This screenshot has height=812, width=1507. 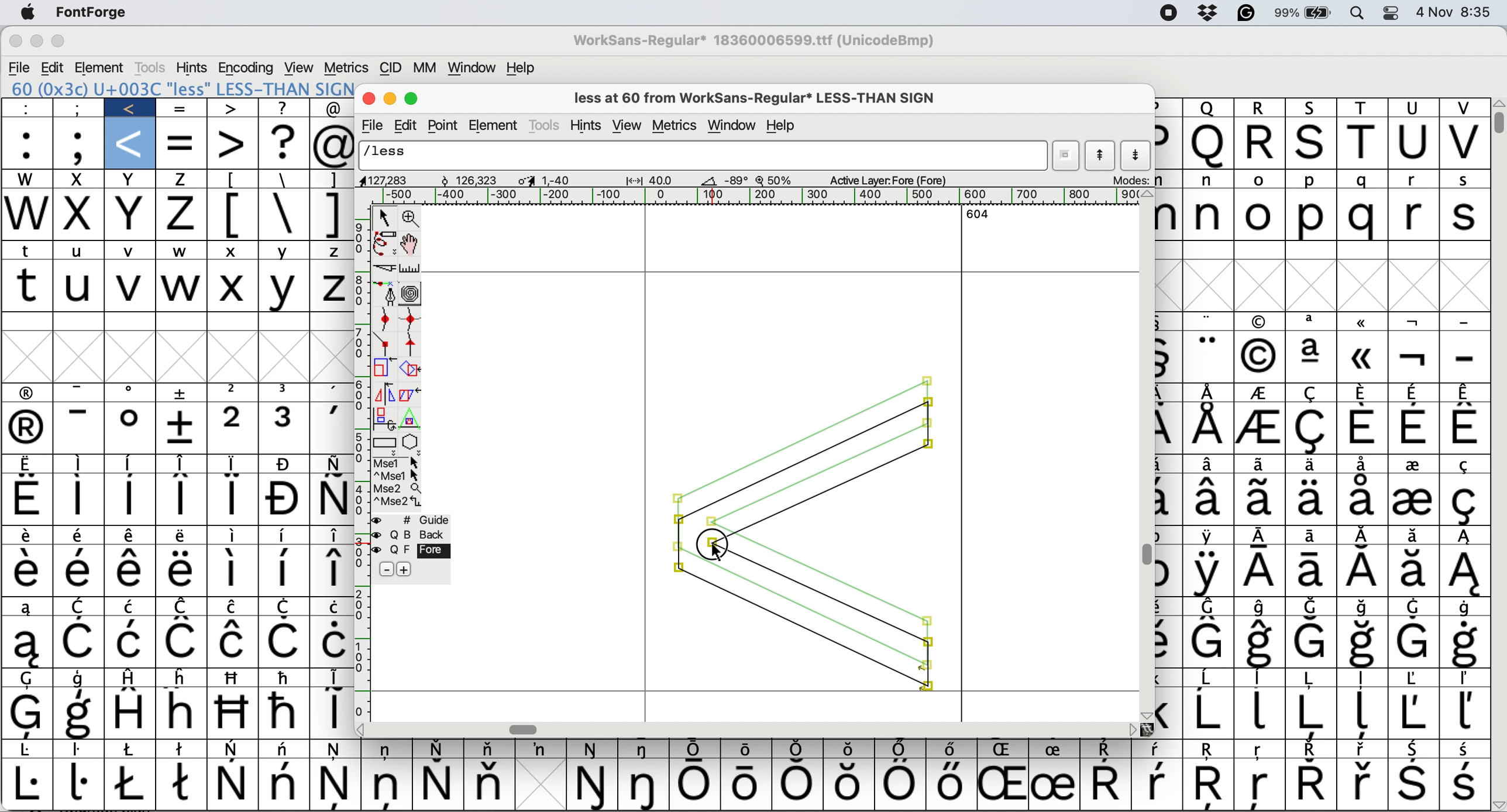 I want to click on @, so click(x=335, y=144).